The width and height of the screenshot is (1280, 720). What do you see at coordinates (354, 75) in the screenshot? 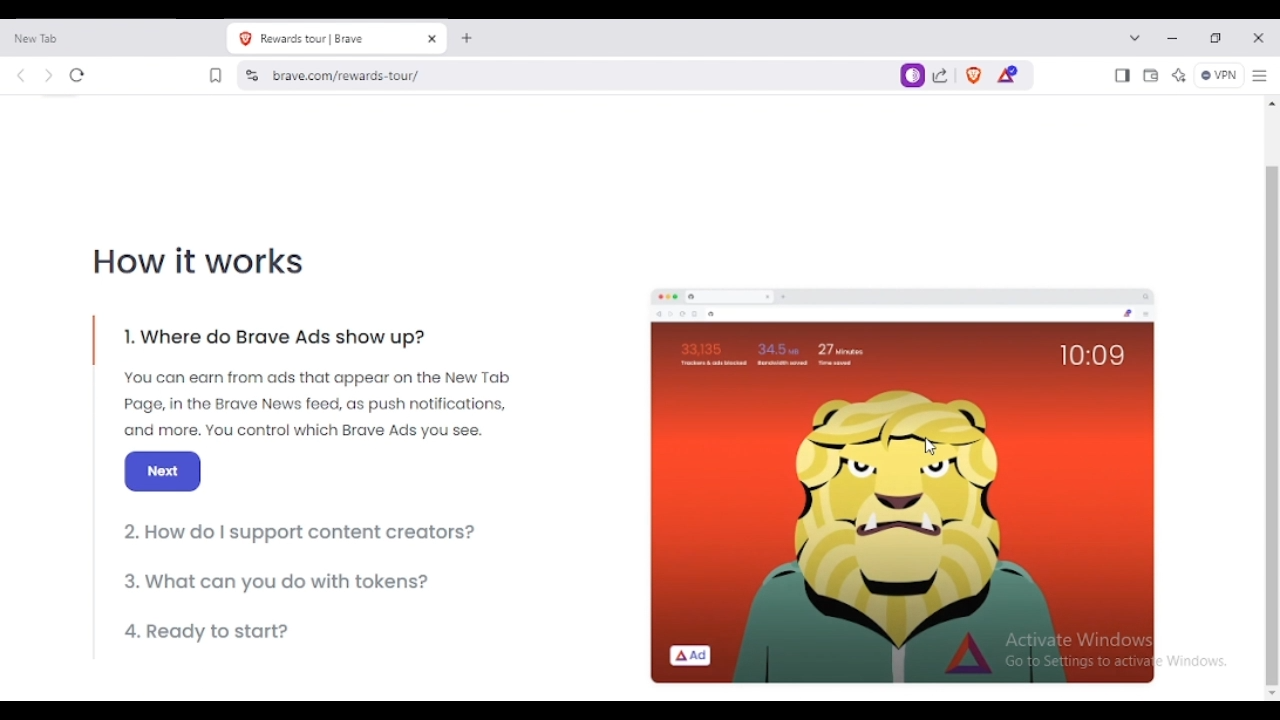
I see `brave.com/rewards-tour/` at bounding box center [354, 75].